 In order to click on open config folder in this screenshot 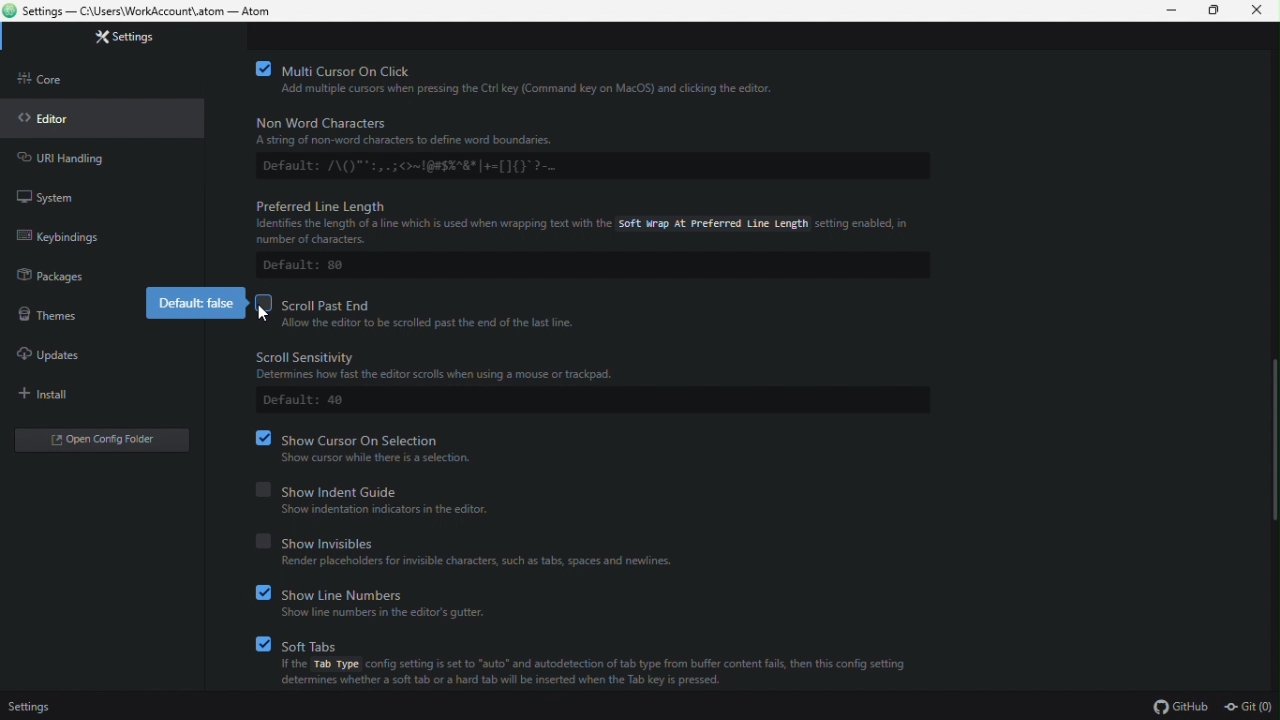, I will do `click(107, 442)`.